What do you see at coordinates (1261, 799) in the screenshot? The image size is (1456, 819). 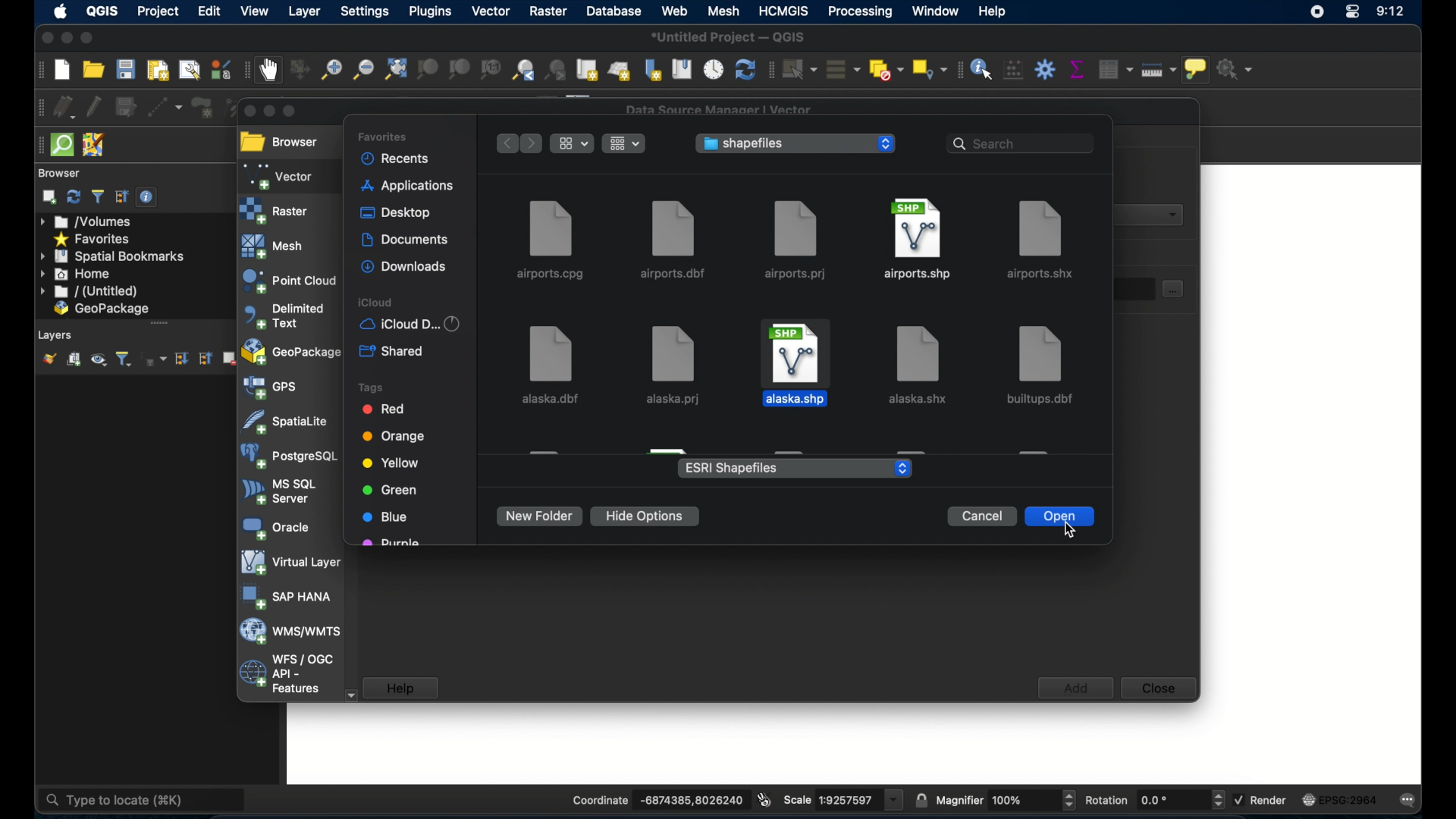 I see `render` at bounding box center [1261, 799].